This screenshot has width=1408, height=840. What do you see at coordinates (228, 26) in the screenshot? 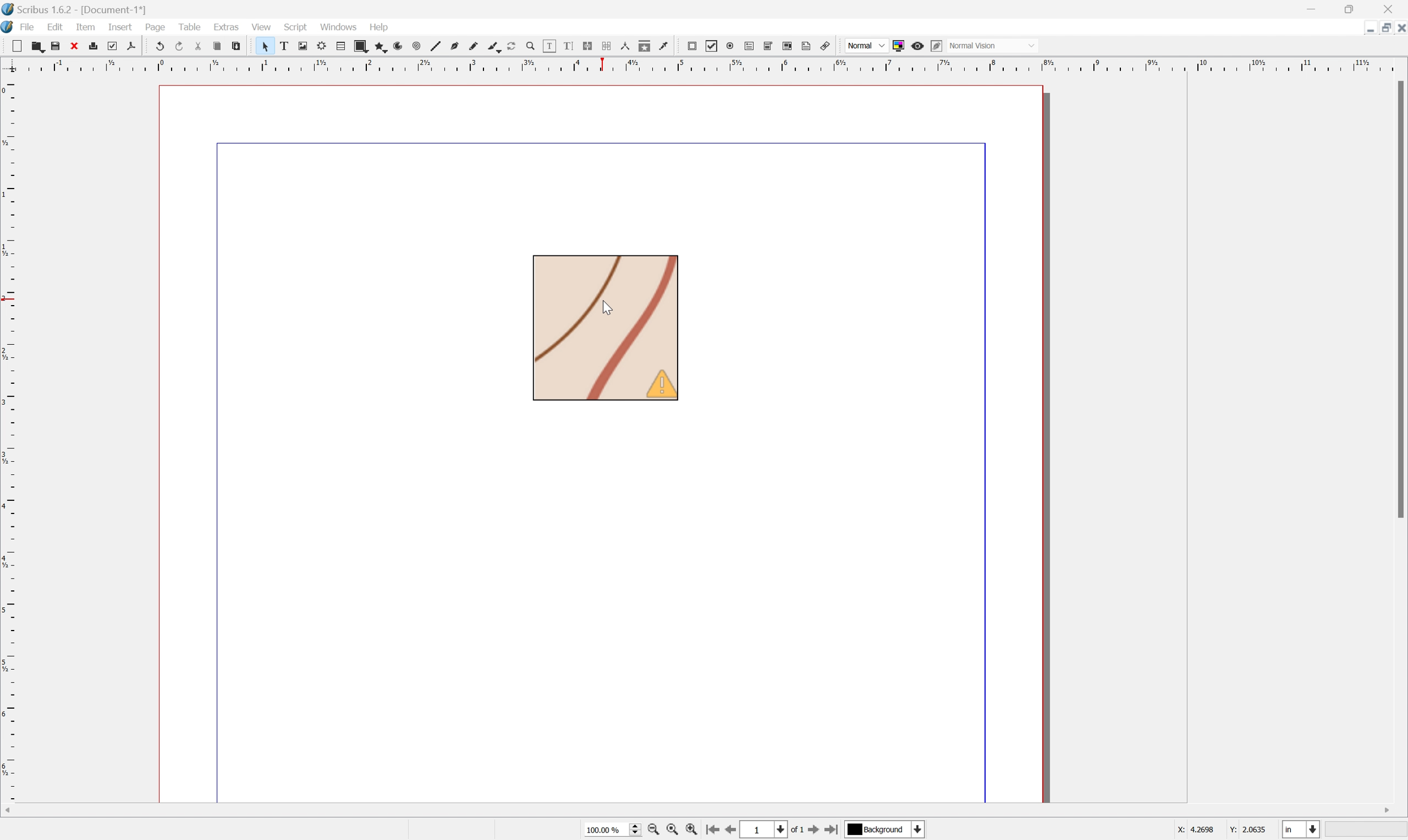
I see `Extras` at bounding box center [228, 26].